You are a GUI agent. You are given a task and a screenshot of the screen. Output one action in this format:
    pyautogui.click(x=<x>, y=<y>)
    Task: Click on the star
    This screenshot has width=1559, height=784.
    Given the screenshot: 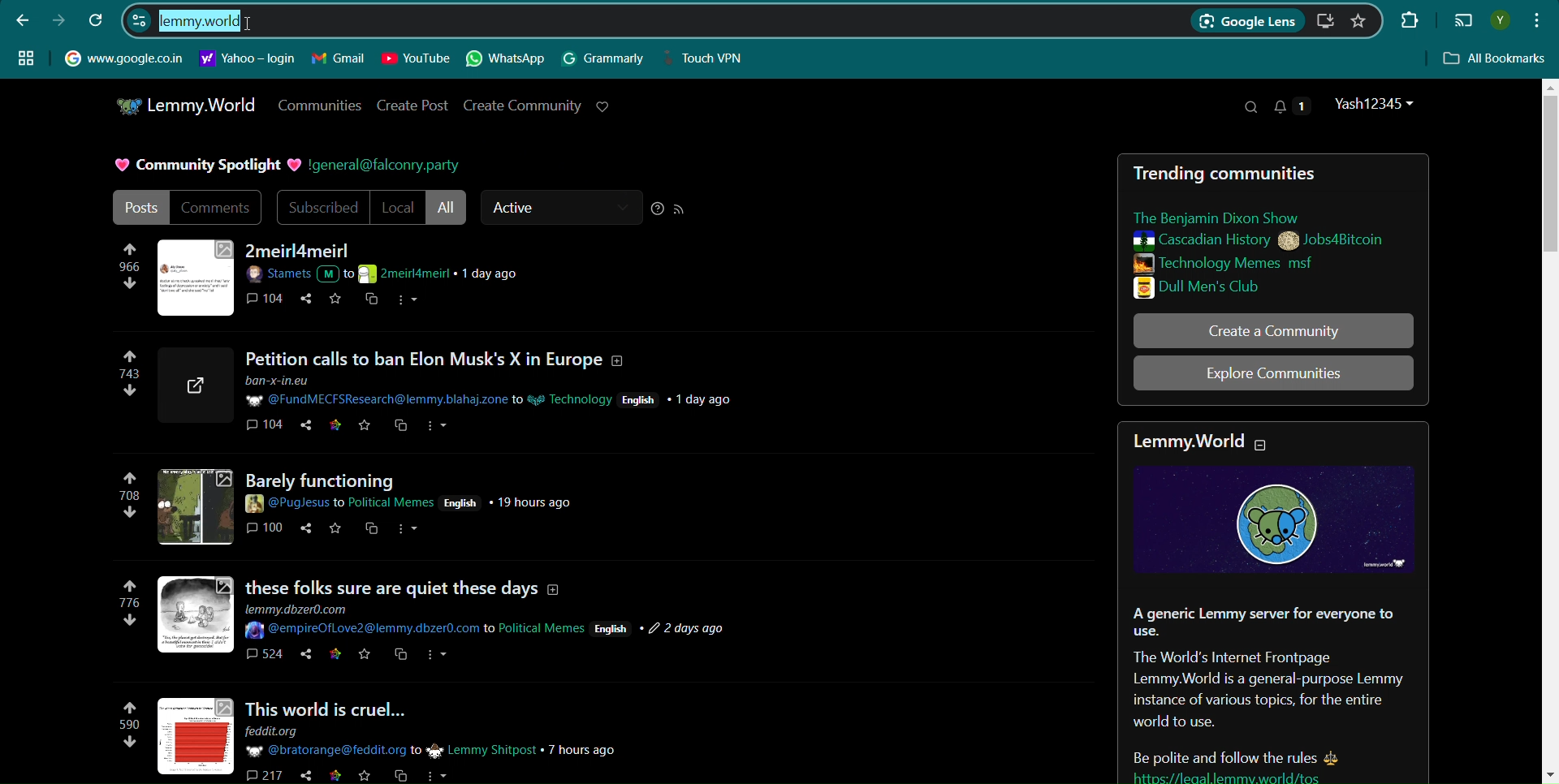 What is the action you would take?
    pyautogui.click(x=365, y=658)
    